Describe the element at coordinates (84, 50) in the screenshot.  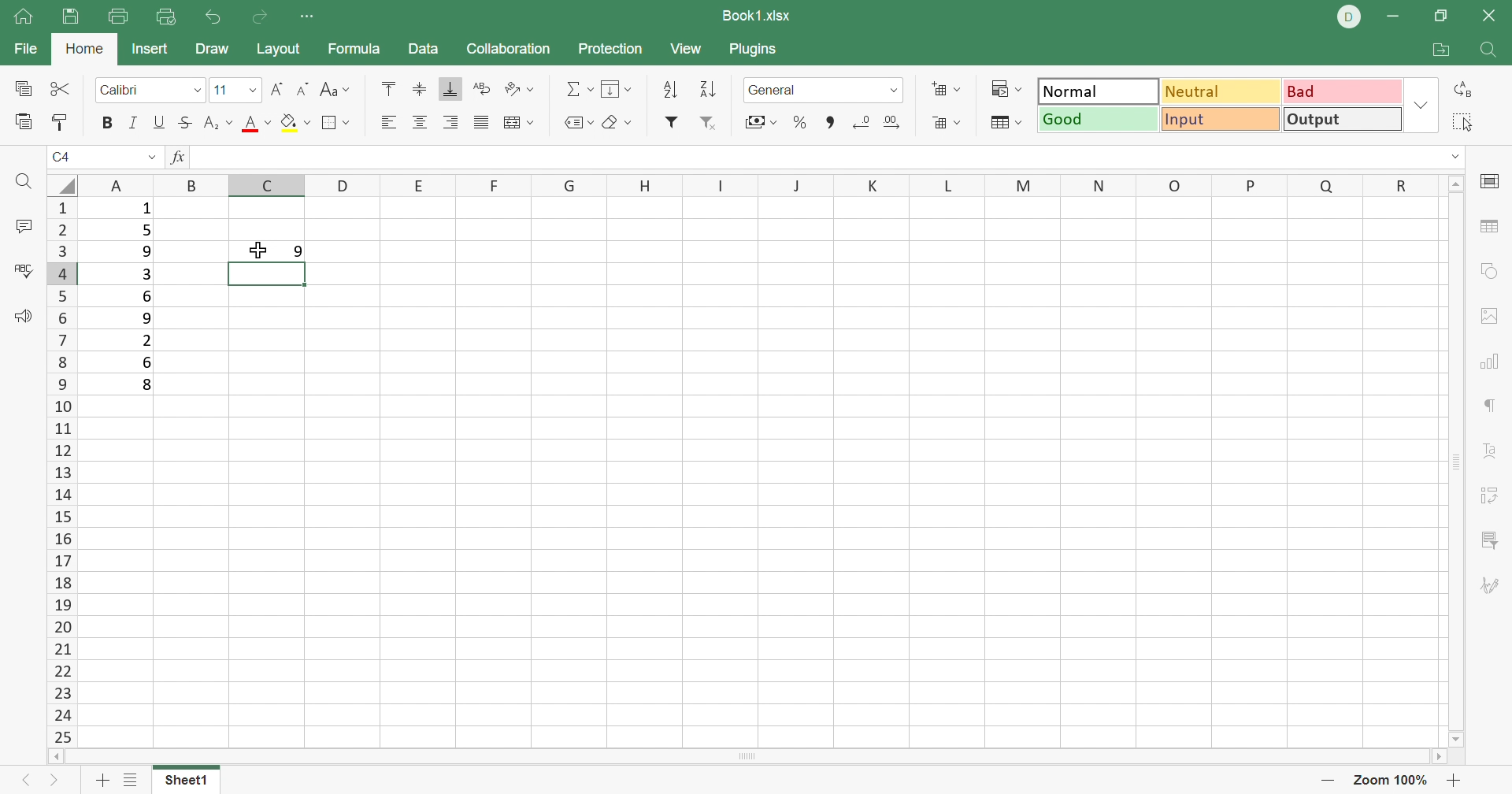
I see `Home` at that location.